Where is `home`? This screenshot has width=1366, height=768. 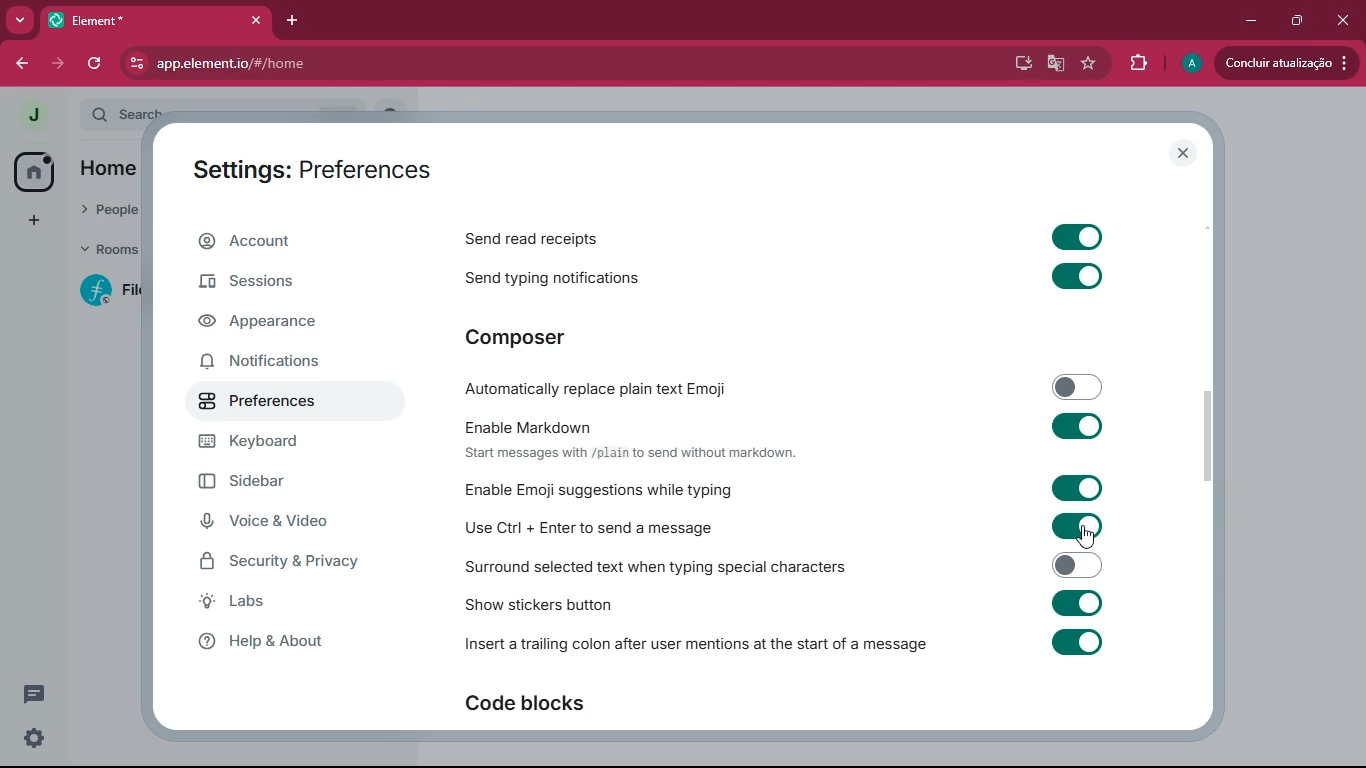 home is located at coordinates (35, 173).